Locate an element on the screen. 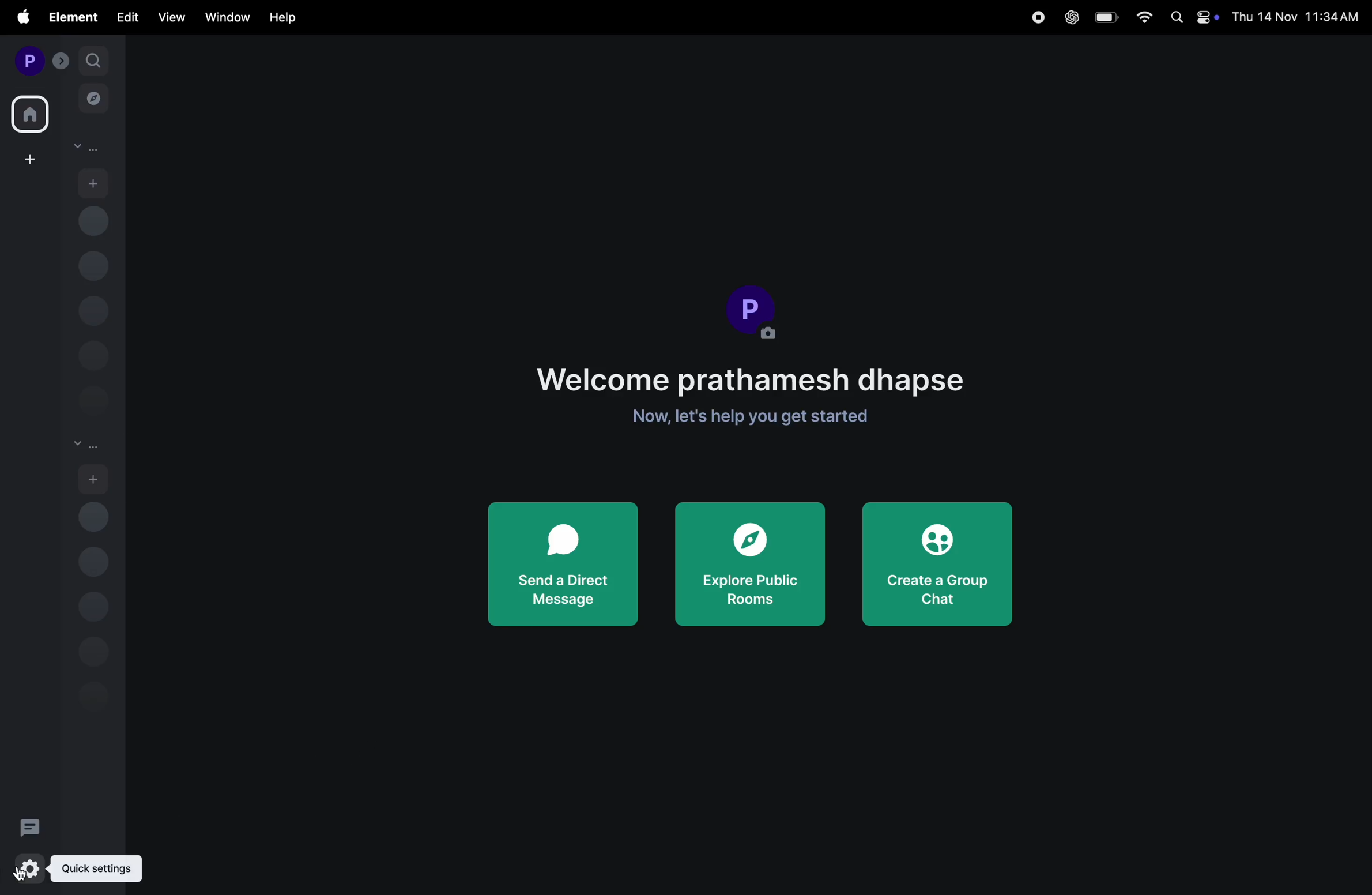 The height and width of the screenshot is (895, 1372). search is located at coordinates (93, 59).